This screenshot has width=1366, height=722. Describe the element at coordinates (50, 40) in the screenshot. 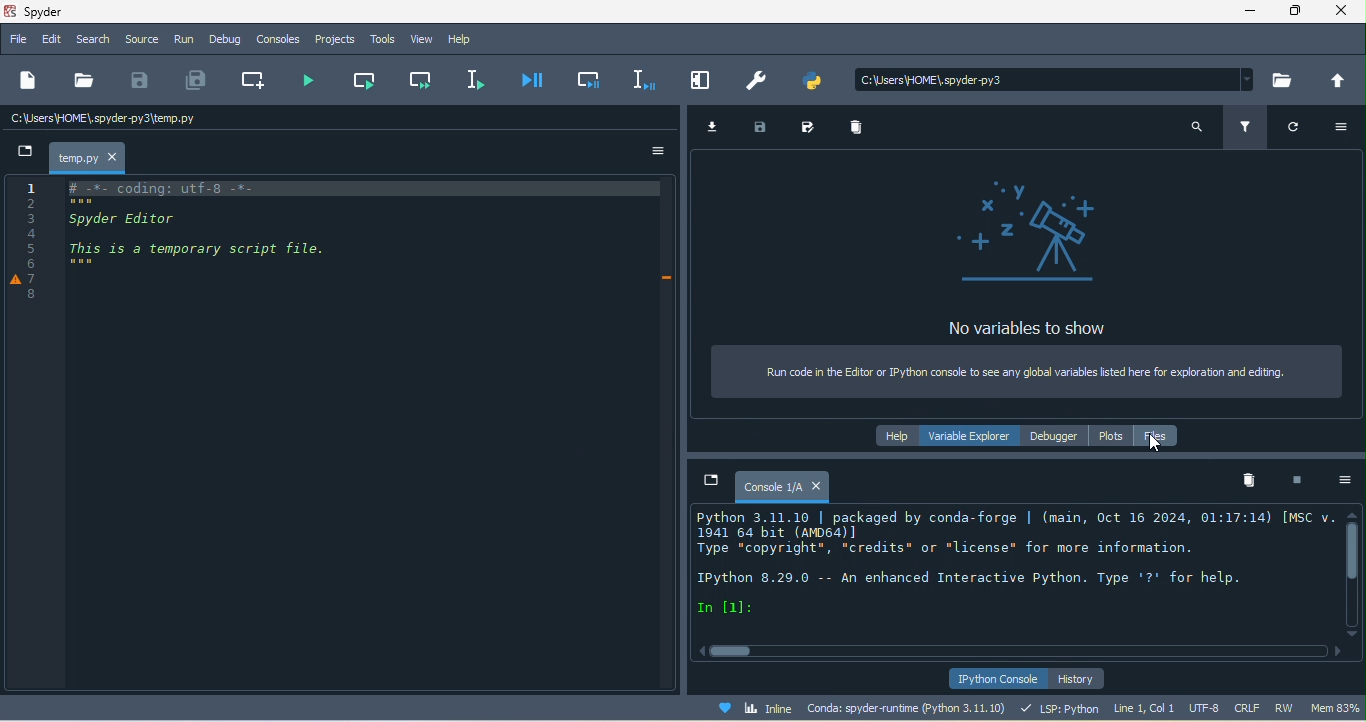

I see `edit` at that location.